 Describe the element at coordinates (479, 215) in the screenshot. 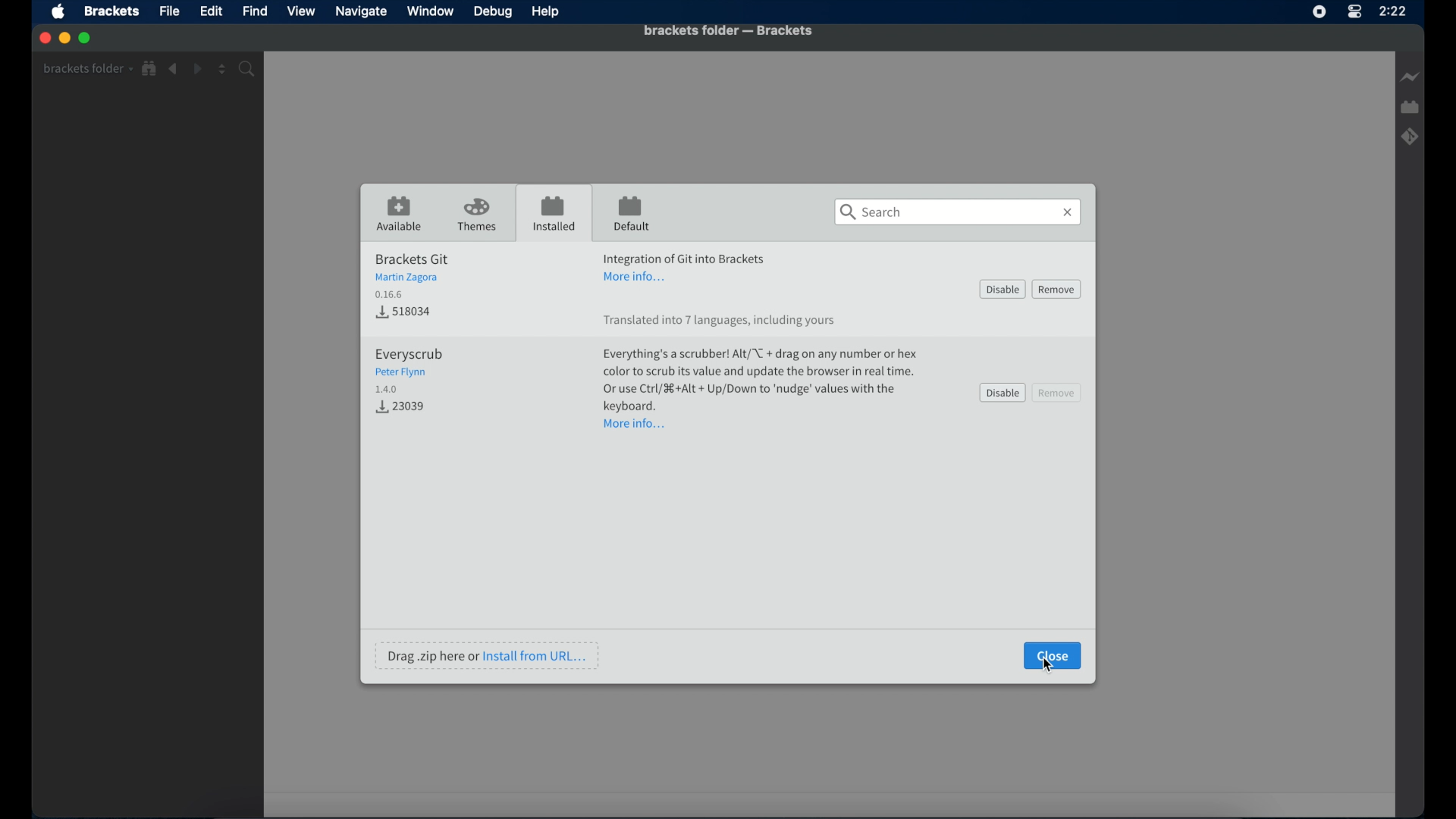

I see `themes` at that location.